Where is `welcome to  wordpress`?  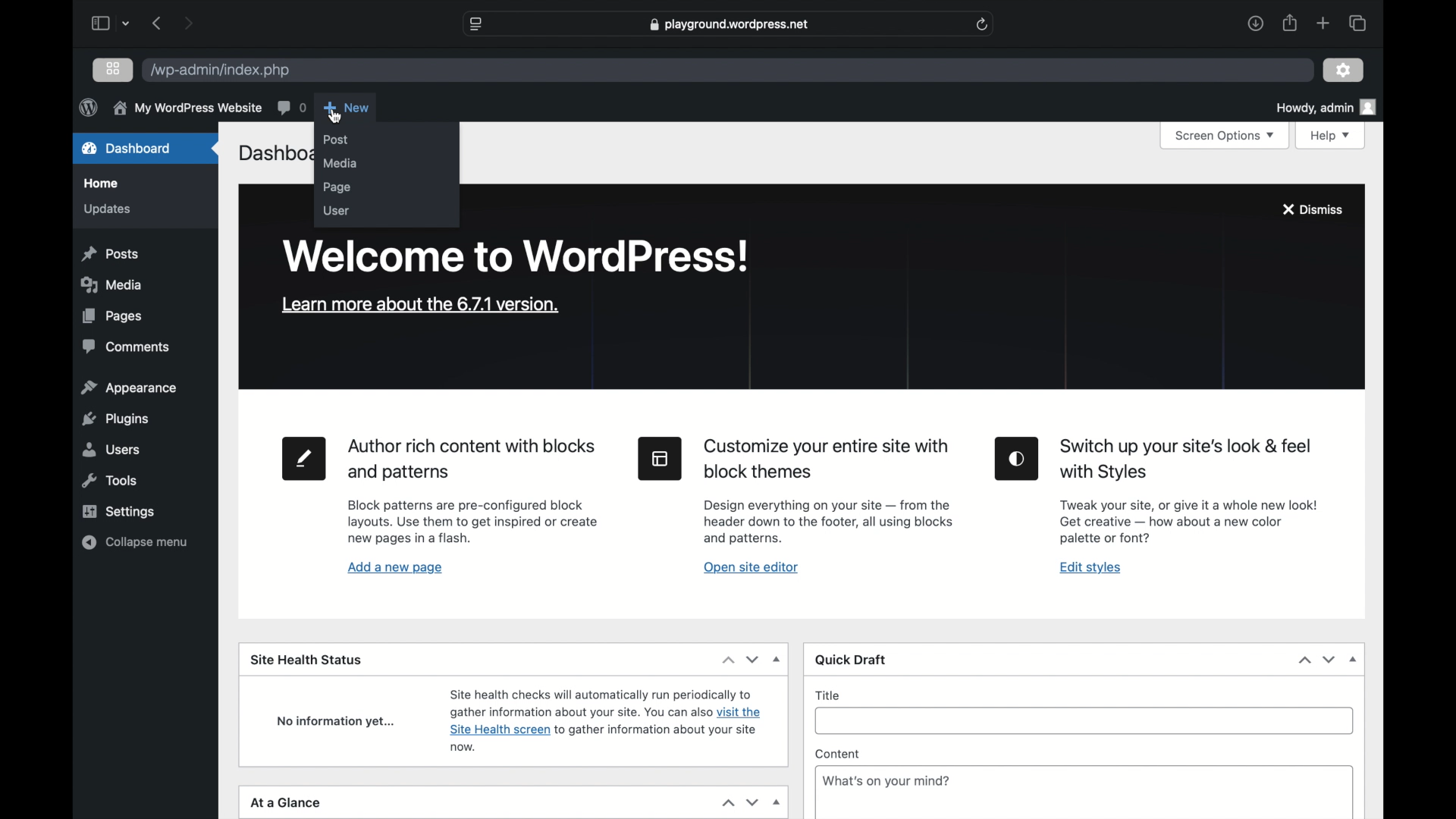
welcome to  wordpress is located at coordinates (515, 257).